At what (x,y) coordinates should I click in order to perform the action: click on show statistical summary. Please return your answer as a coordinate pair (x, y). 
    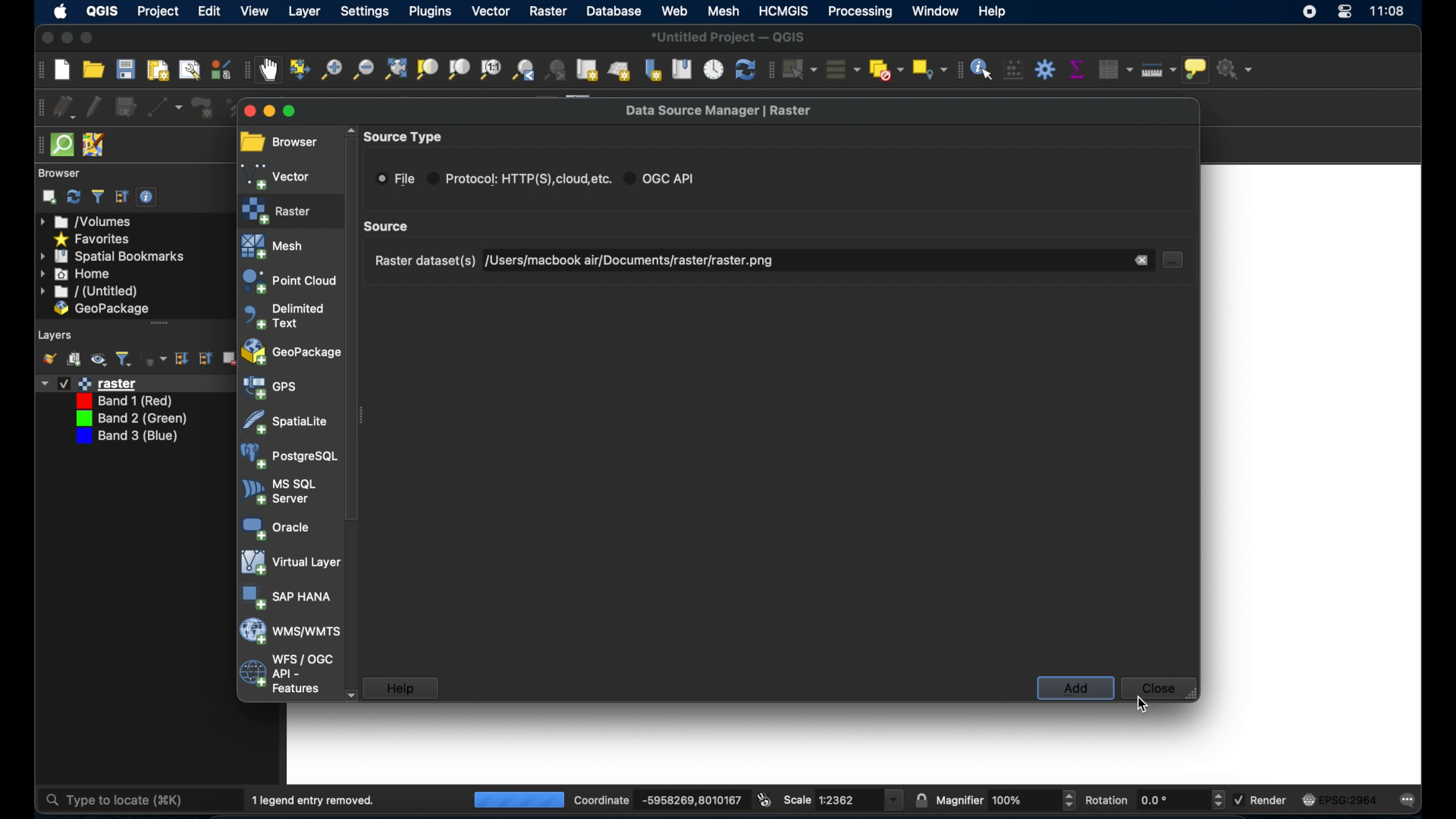
    Looking at the image, I should click on (1076, 69).